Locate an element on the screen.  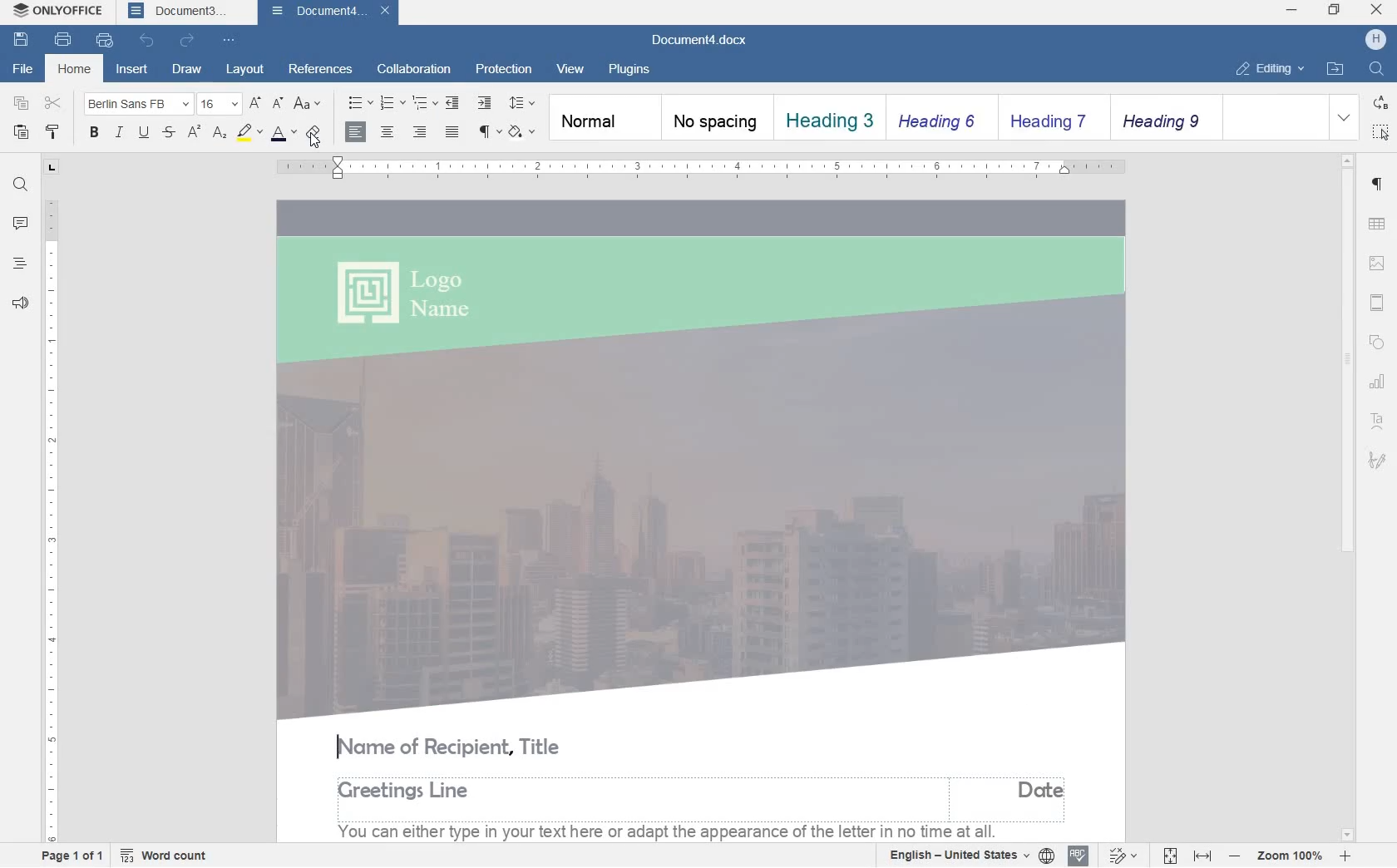
image settings is located at coordinates (1377, 264).